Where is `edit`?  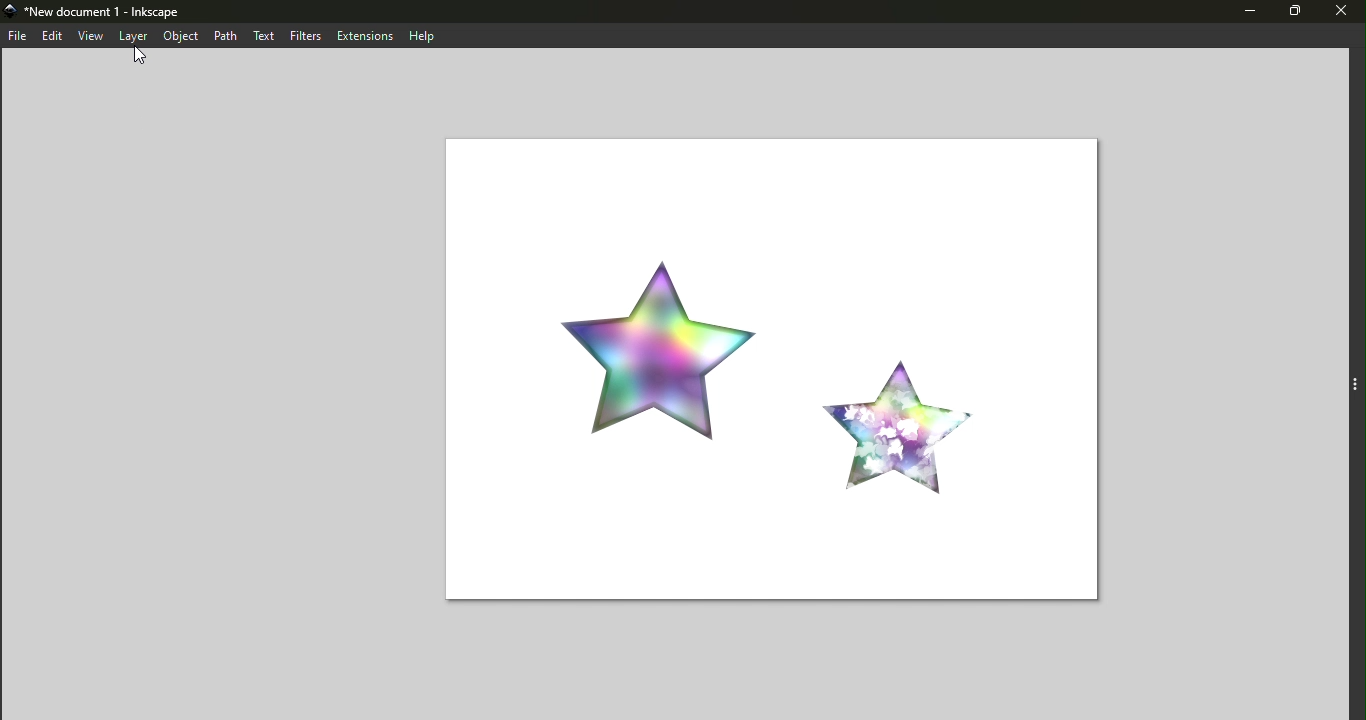 edit is located at coordinates (50, 37).